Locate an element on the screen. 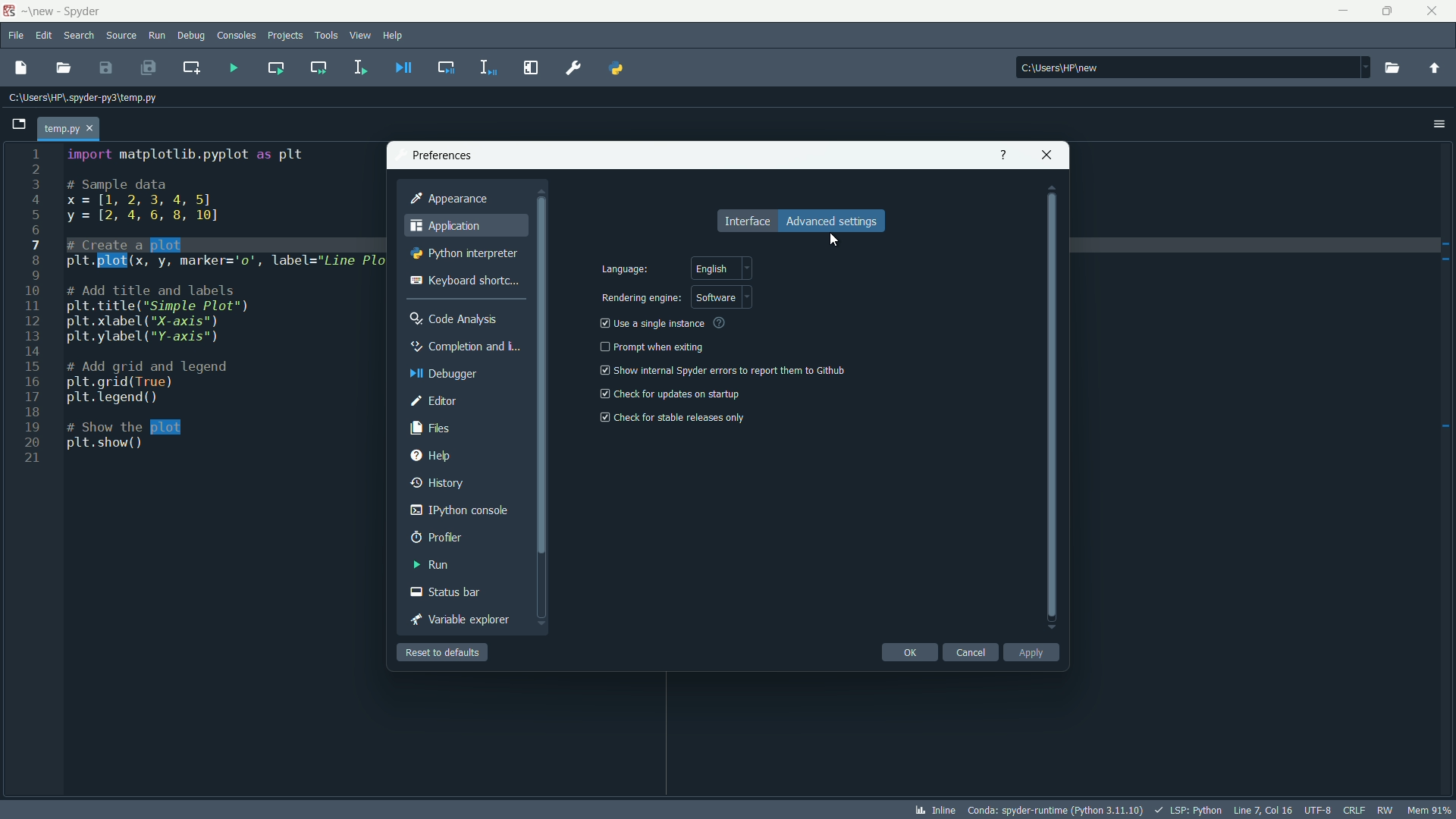 The image size is (1456, 819). maximize current pane is located at coordinates (533, 67).